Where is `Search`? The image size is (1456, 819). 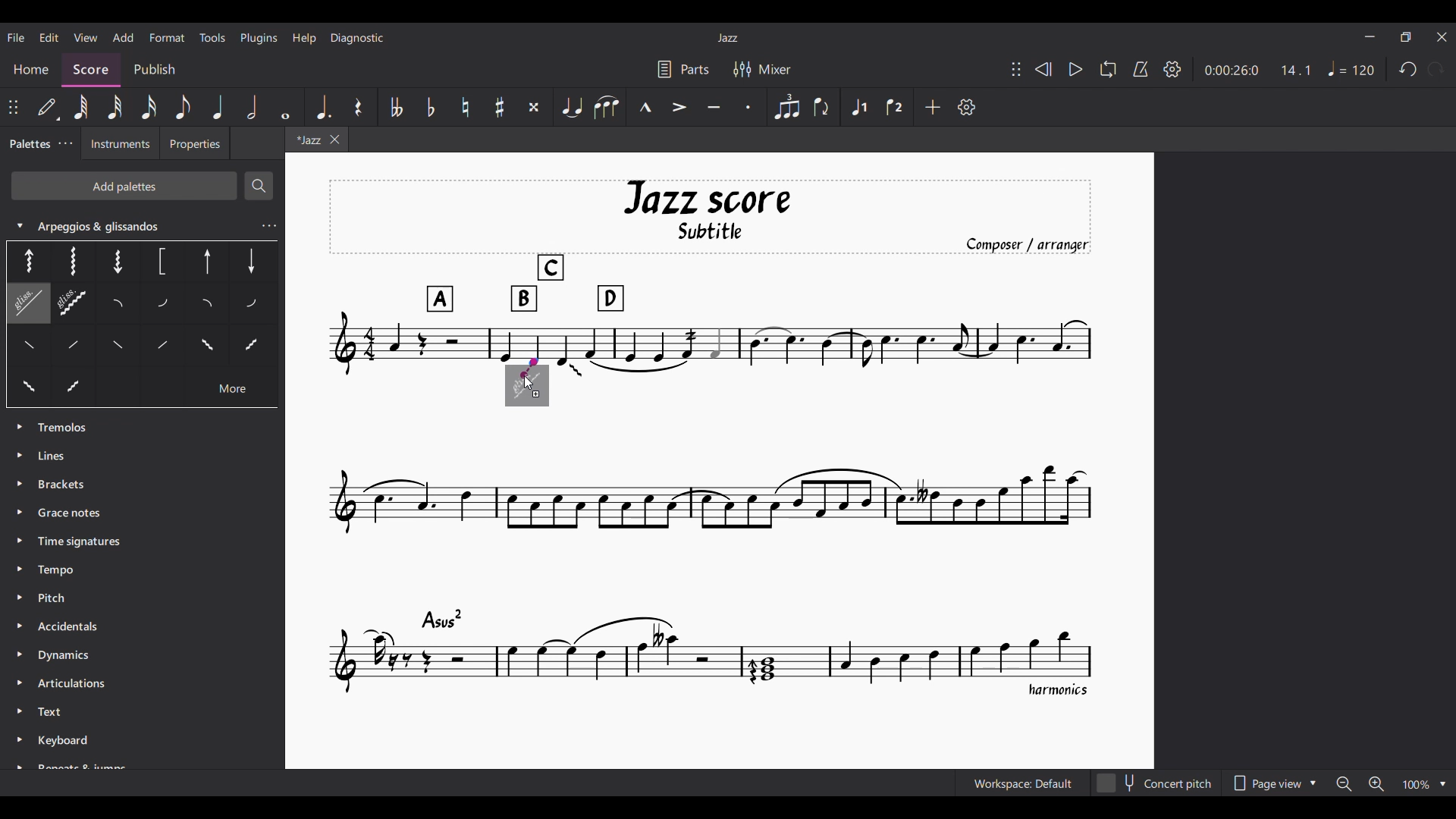
Search is located at coordinates (258, 186).